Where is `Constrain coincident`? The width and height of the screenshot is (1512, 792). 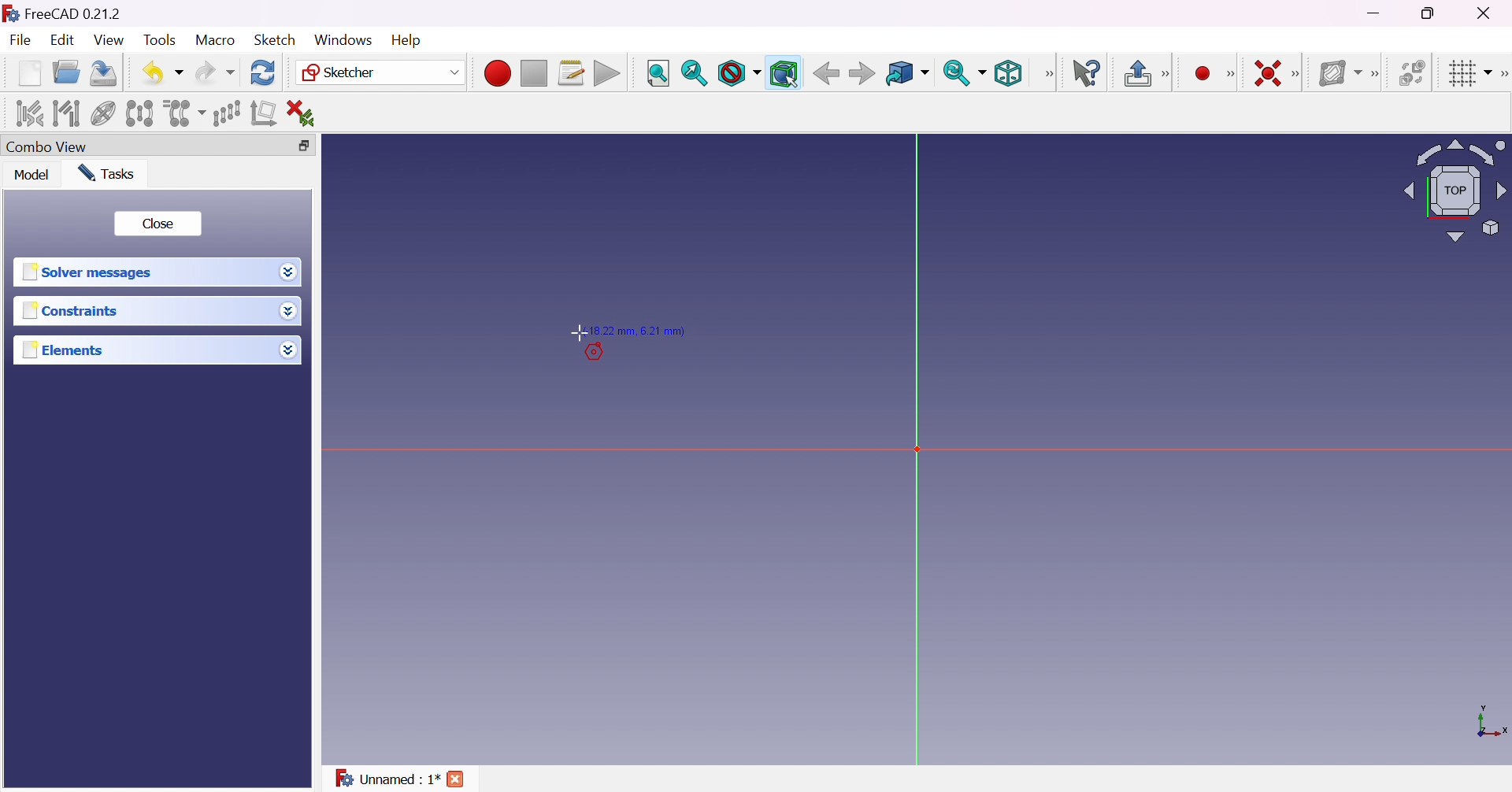
Constrain coincident is located at coordinates (1266, 73).